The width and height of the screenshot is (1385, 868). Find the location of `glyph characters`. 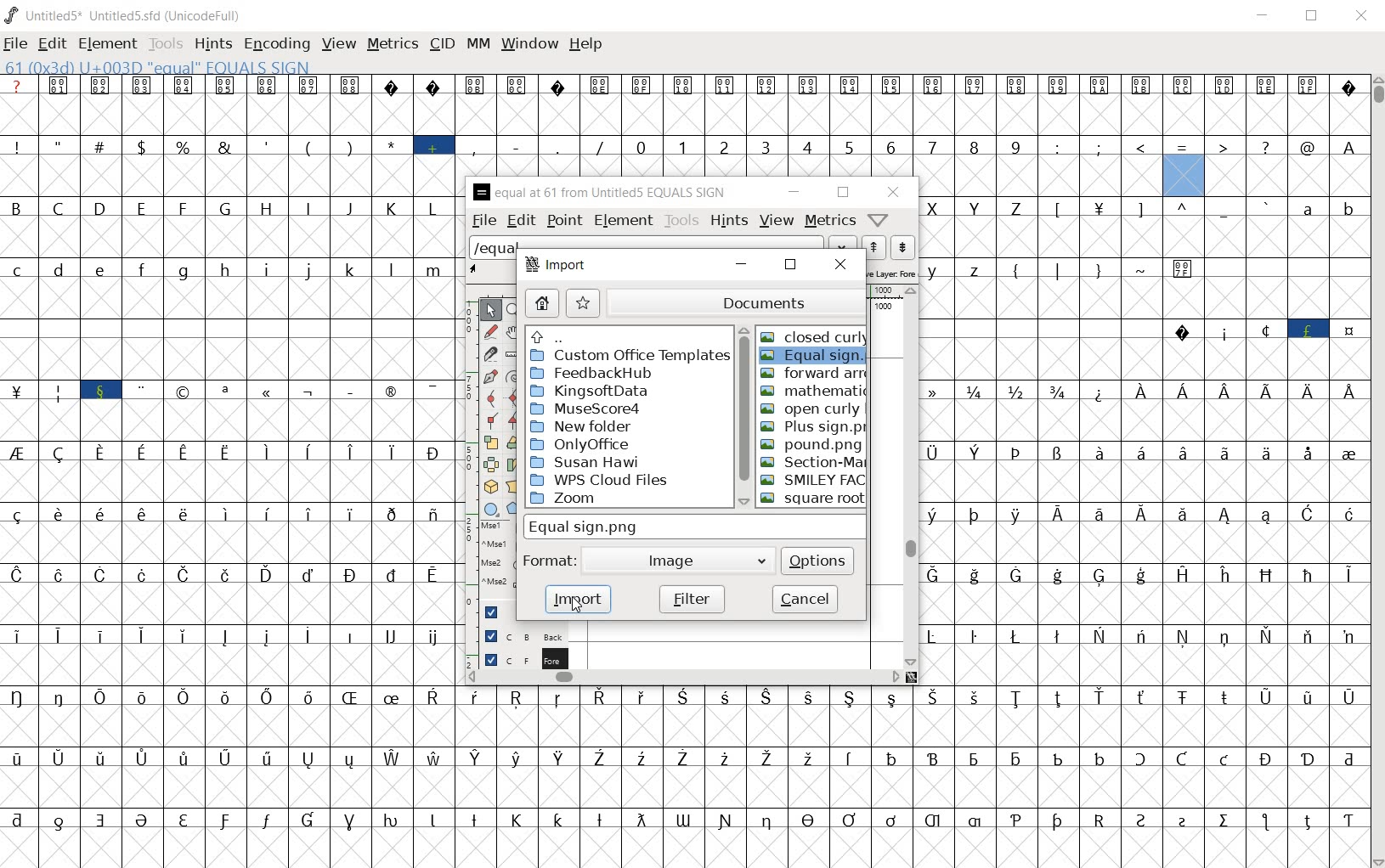

glyph characters is located at coordinates (913, 775).